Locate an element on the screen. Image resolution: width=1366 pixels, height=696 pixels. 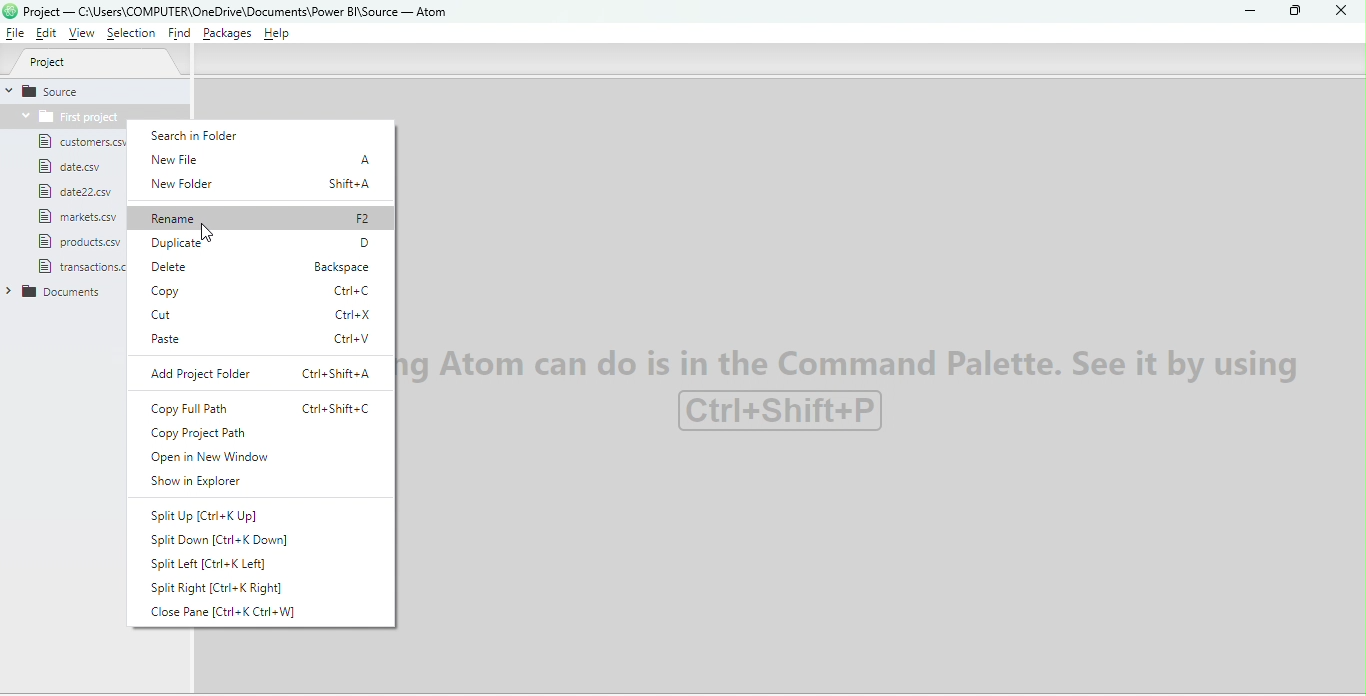
Search in folder is located at coordinates (233, 135).